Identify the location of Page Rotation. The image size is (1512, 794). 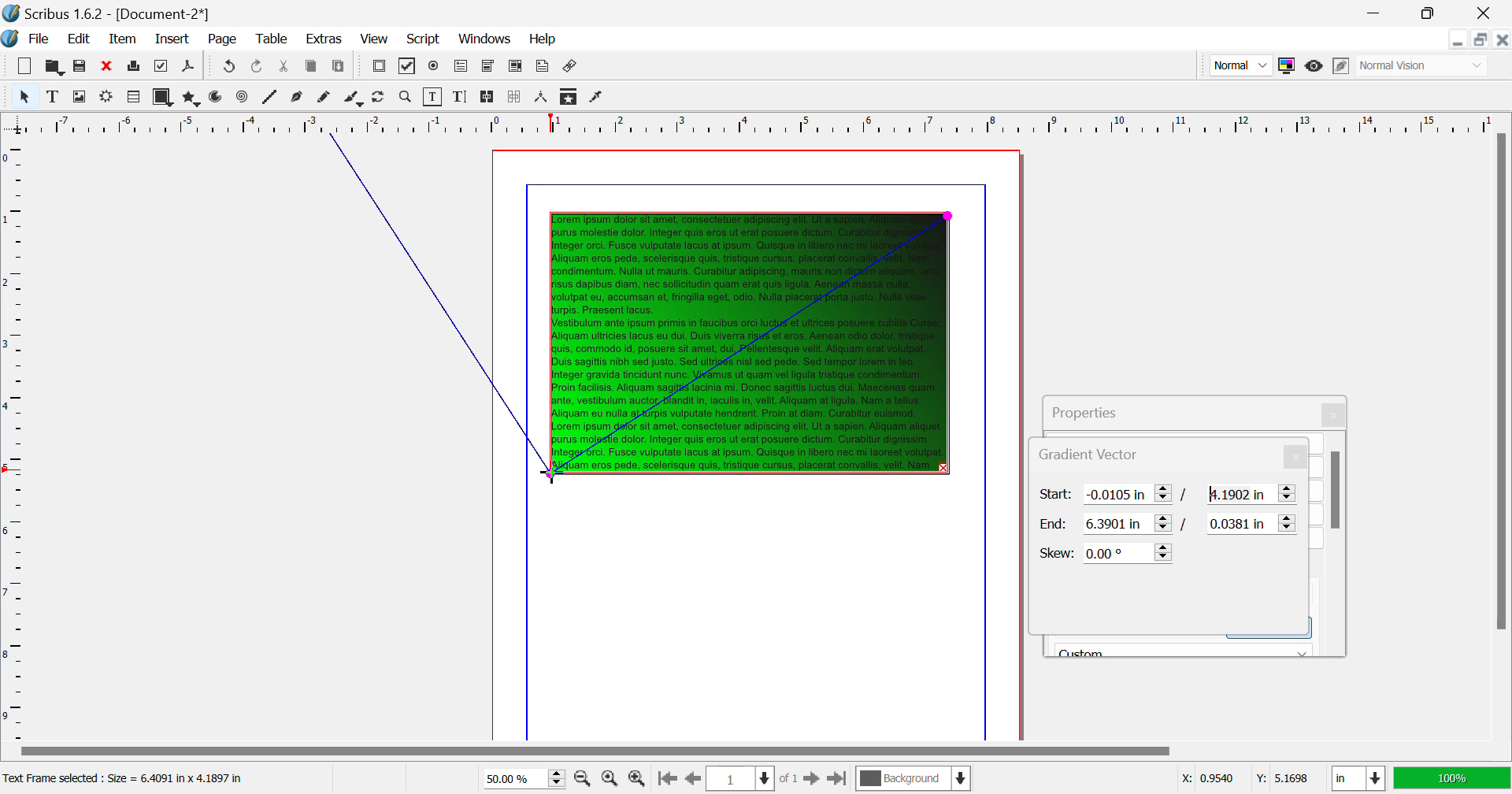
(382, 98).